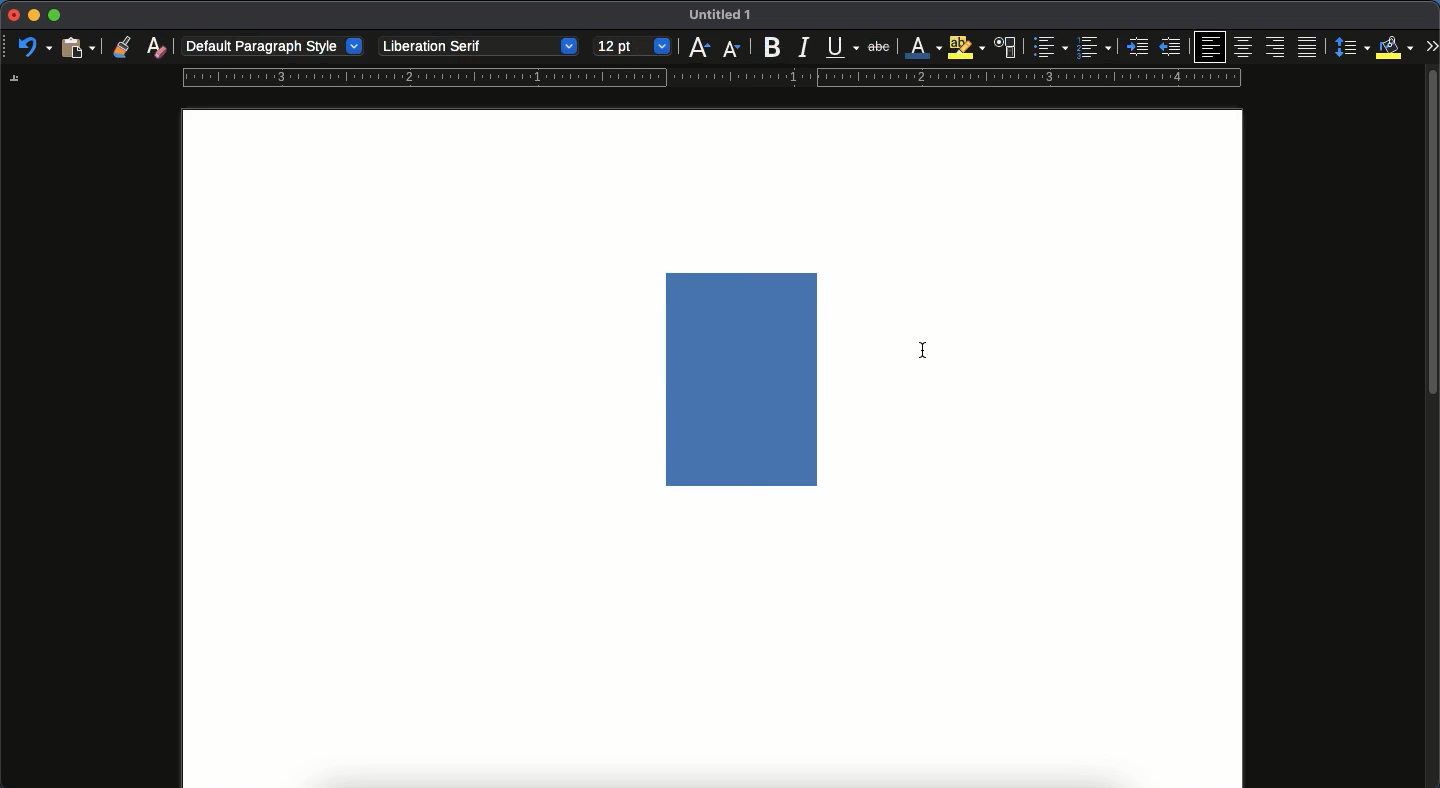  I want to click on default paragraph style, so click(275, 47).